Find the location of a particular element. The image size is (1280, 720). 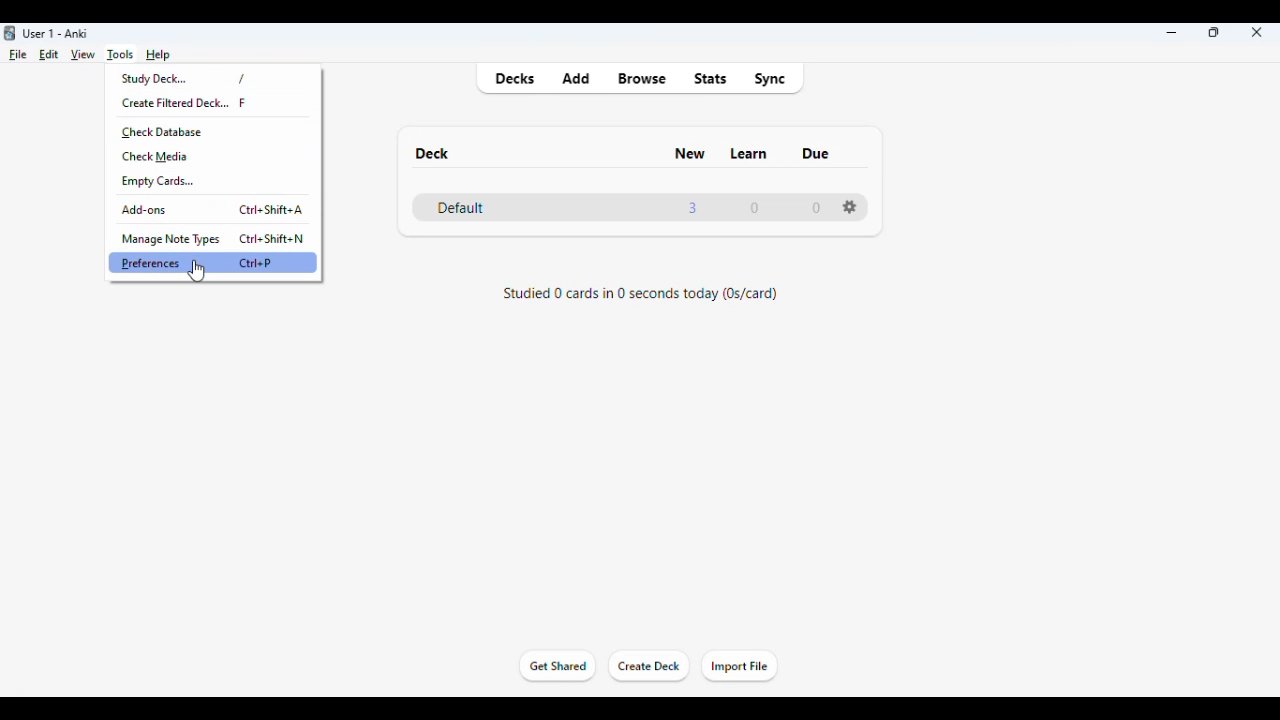

default is located at coordinates (460, 207).